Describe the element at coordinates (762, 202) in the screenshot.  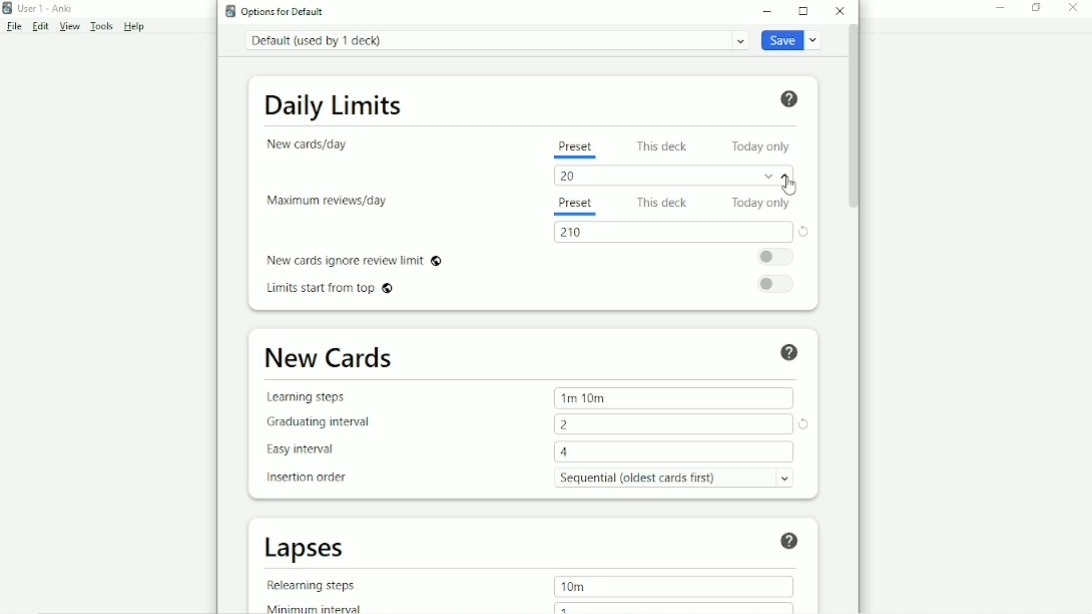
I see `Today only` at that location.